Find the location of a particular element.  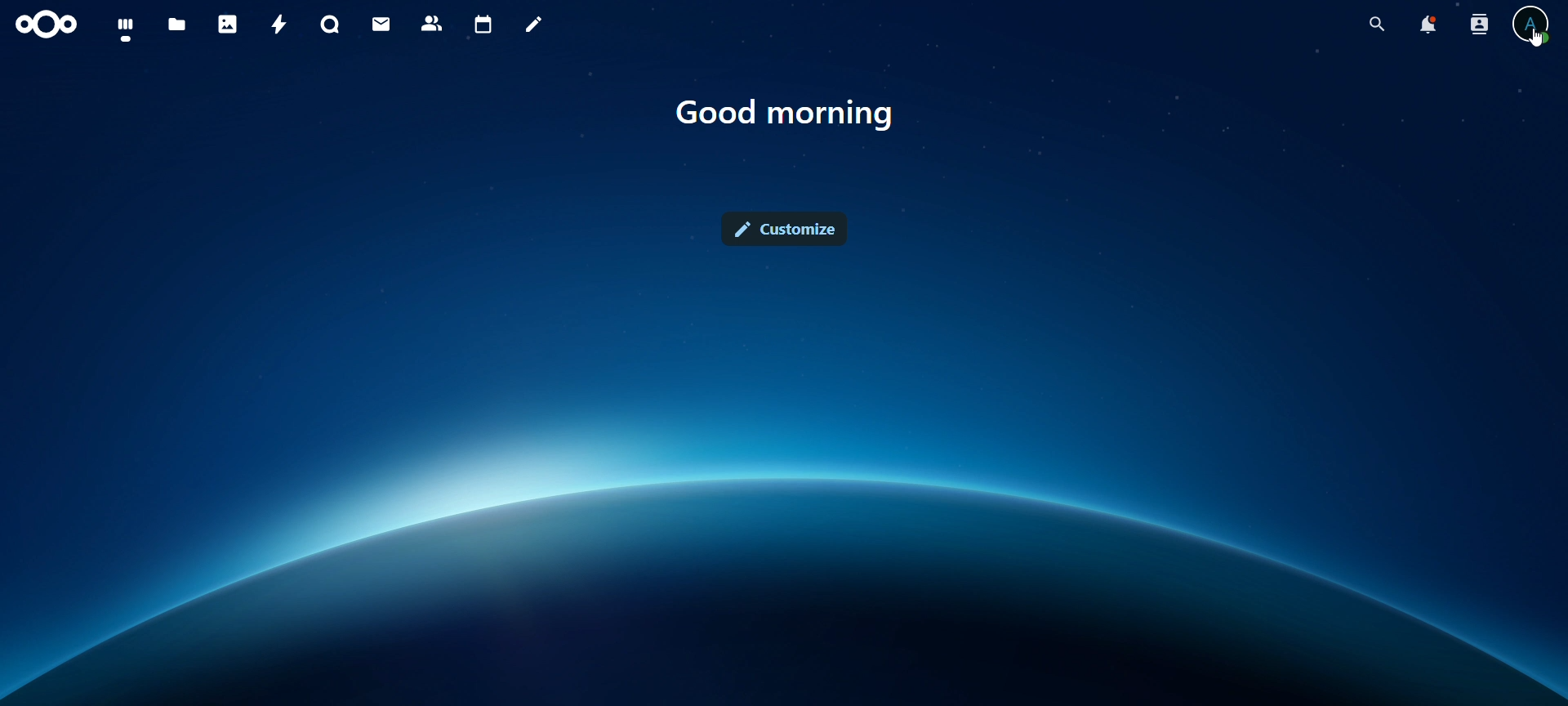

good morning is located at coordinates (786, 114).